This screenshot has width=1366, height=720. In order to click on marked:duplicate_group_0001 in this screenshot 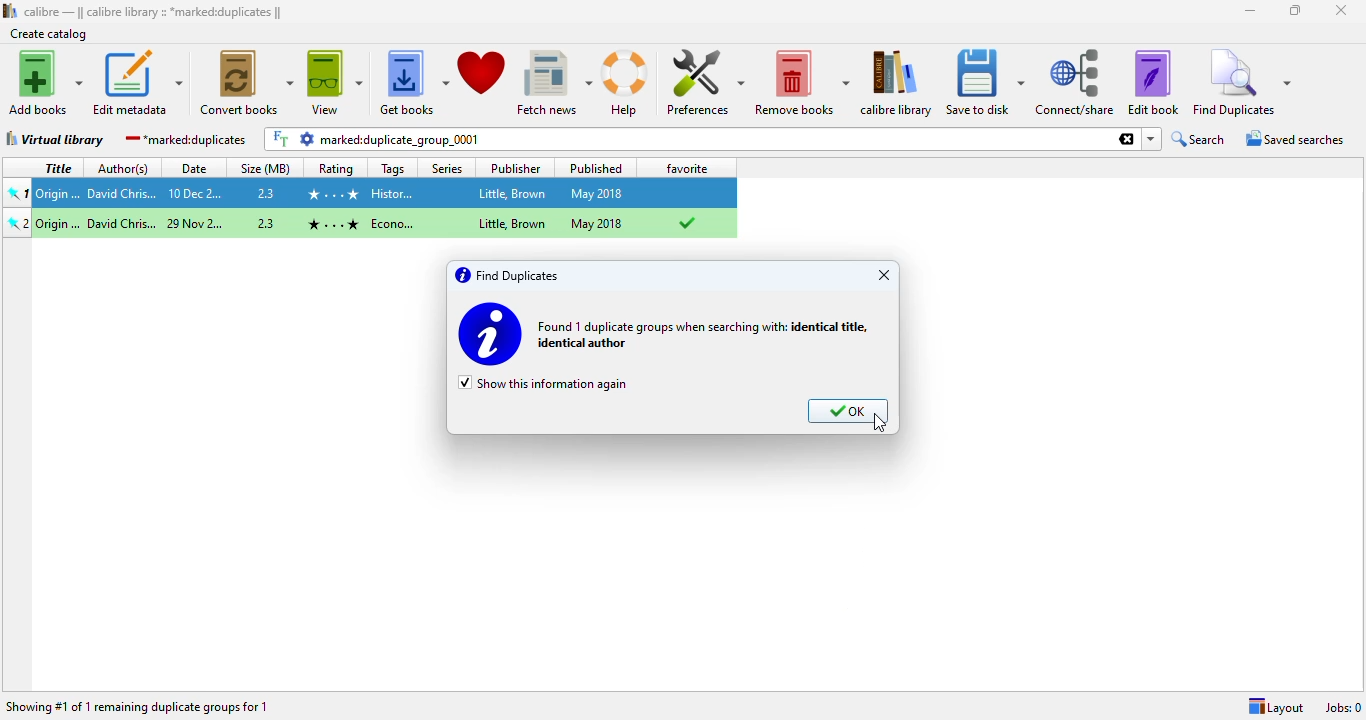, I will do `click(703, 139)`.